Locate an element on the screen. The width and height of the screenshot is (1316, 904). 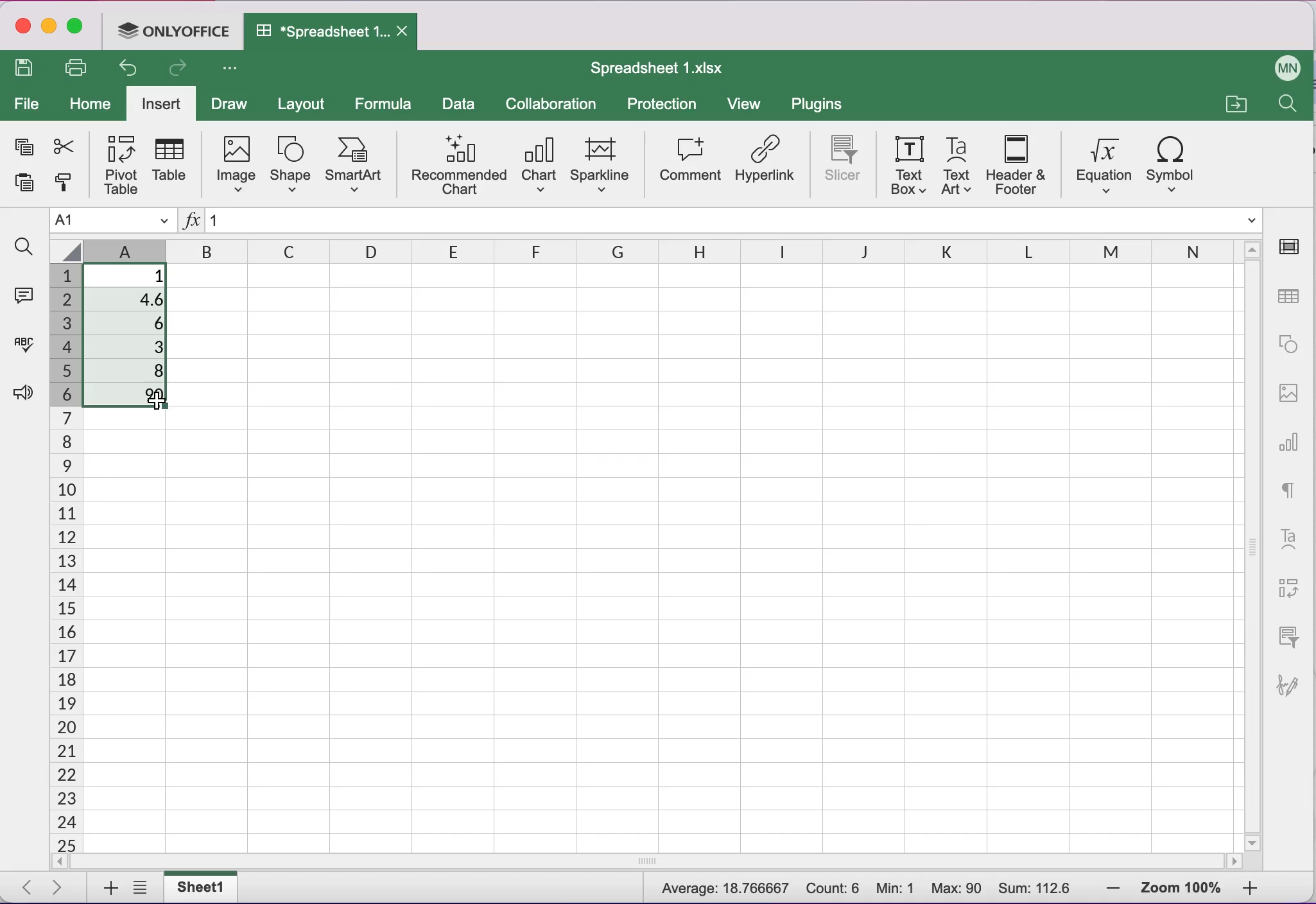
formula is located at coordinates (387, 102).